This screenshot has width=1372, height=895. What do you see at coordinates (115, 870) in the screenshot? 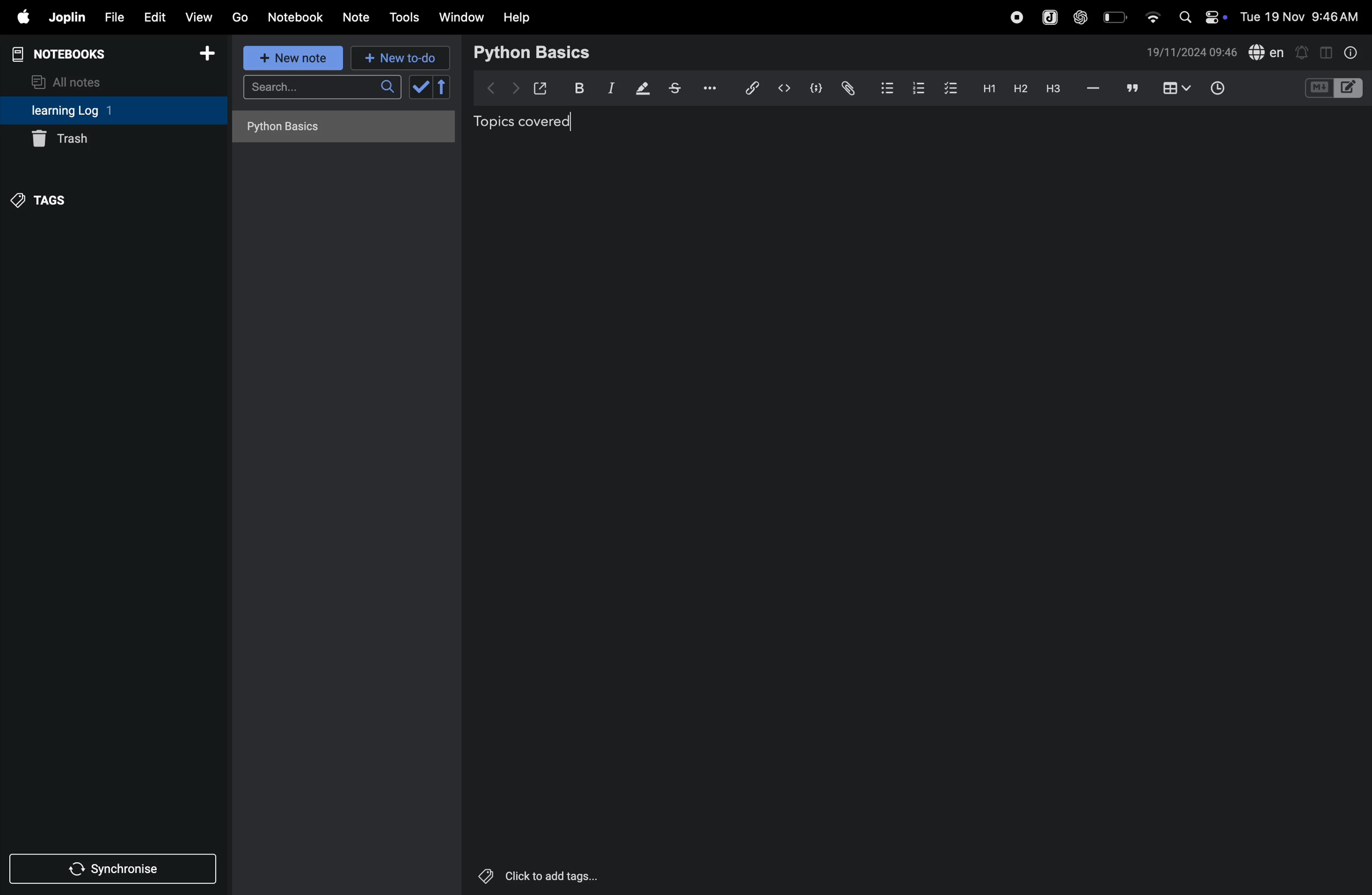
I see `synchronise` at bounding box center [115, 870].